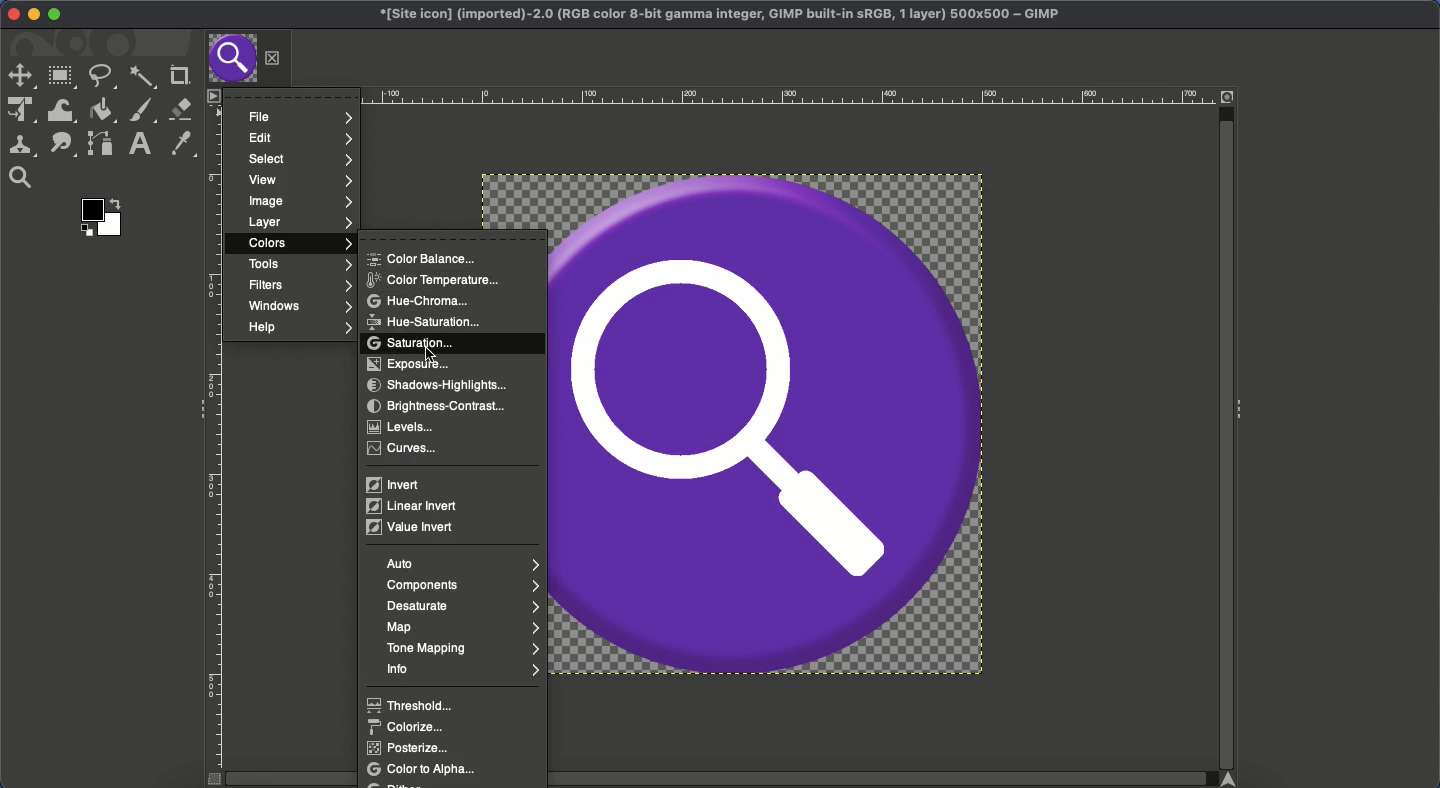 This screenshot has width=1440, height=788. Describe the element at coordinates (19, 177) in the screenshot. I see `Maginfy` at that location.